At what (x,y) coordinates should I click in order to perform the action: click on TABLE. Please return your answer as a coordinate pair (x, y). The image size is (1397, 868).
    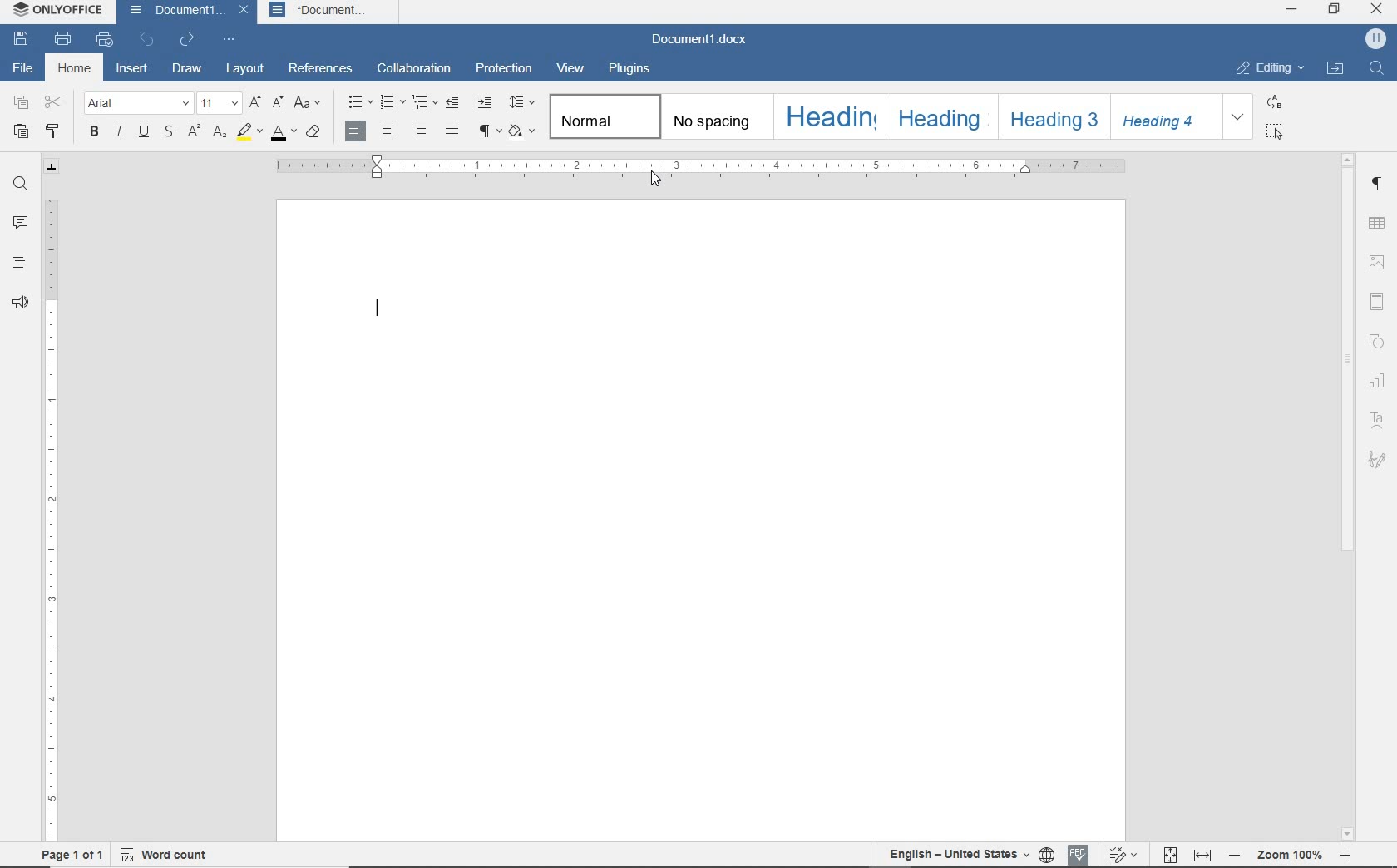
    Looking at the image, I should click on (1376, 223).